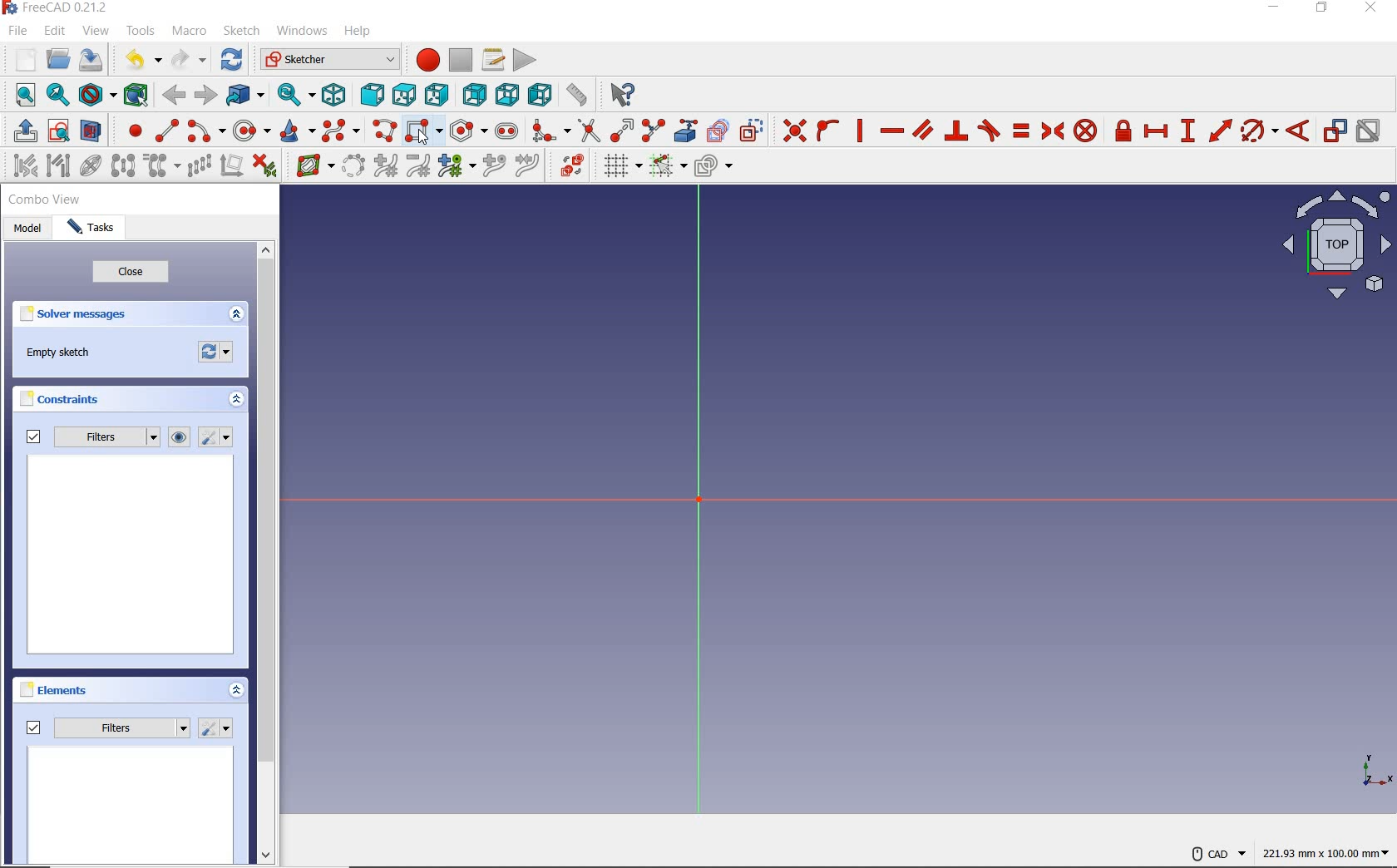  What do you see at coordinates (353, 165) in the screenshot?
I see `convert geometry to b-spline` at bounding box center [353, 165].